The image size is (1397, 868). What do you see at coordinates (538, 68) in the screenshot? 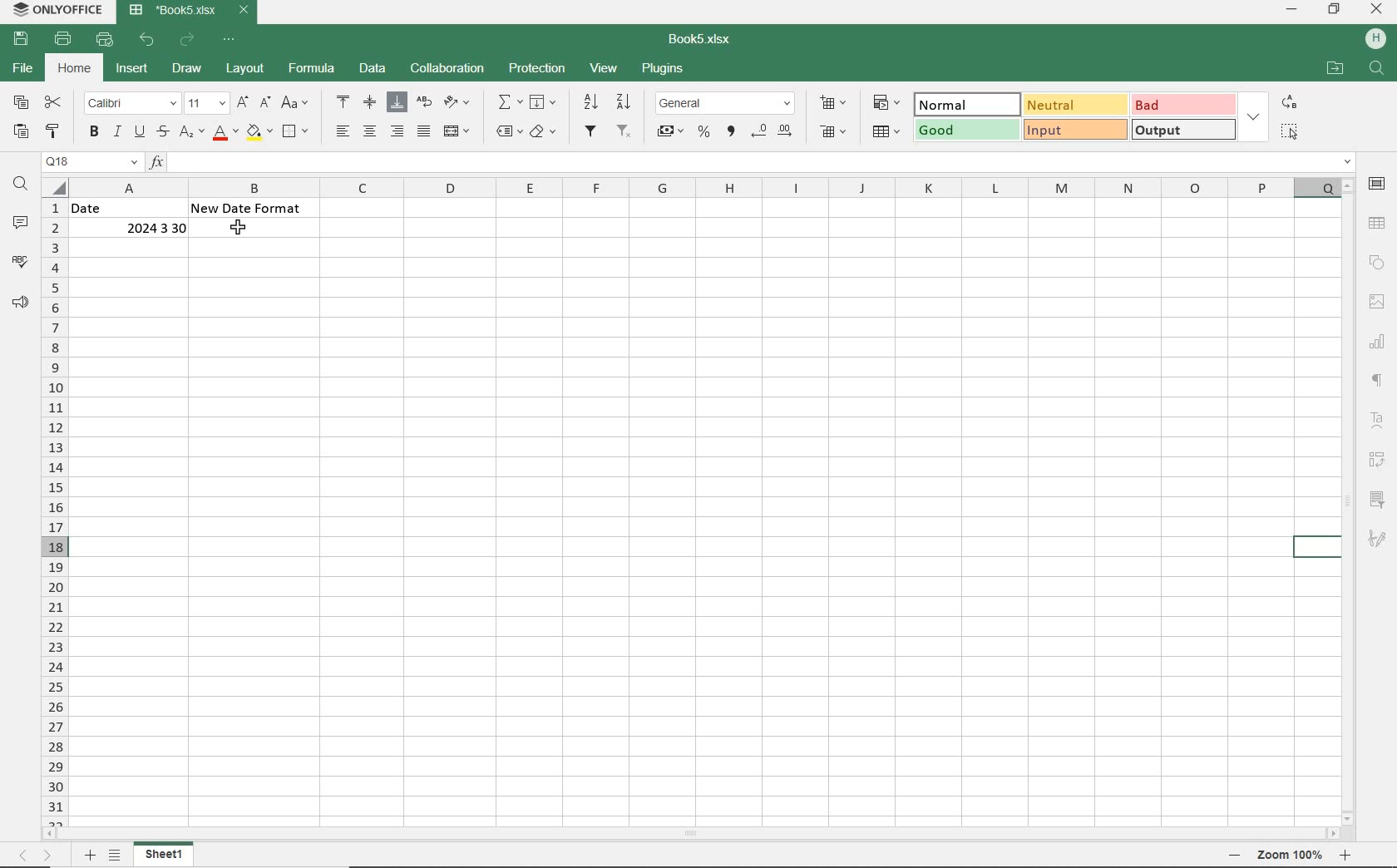
I see `PROTECTION` at bounding box center [538, 68].